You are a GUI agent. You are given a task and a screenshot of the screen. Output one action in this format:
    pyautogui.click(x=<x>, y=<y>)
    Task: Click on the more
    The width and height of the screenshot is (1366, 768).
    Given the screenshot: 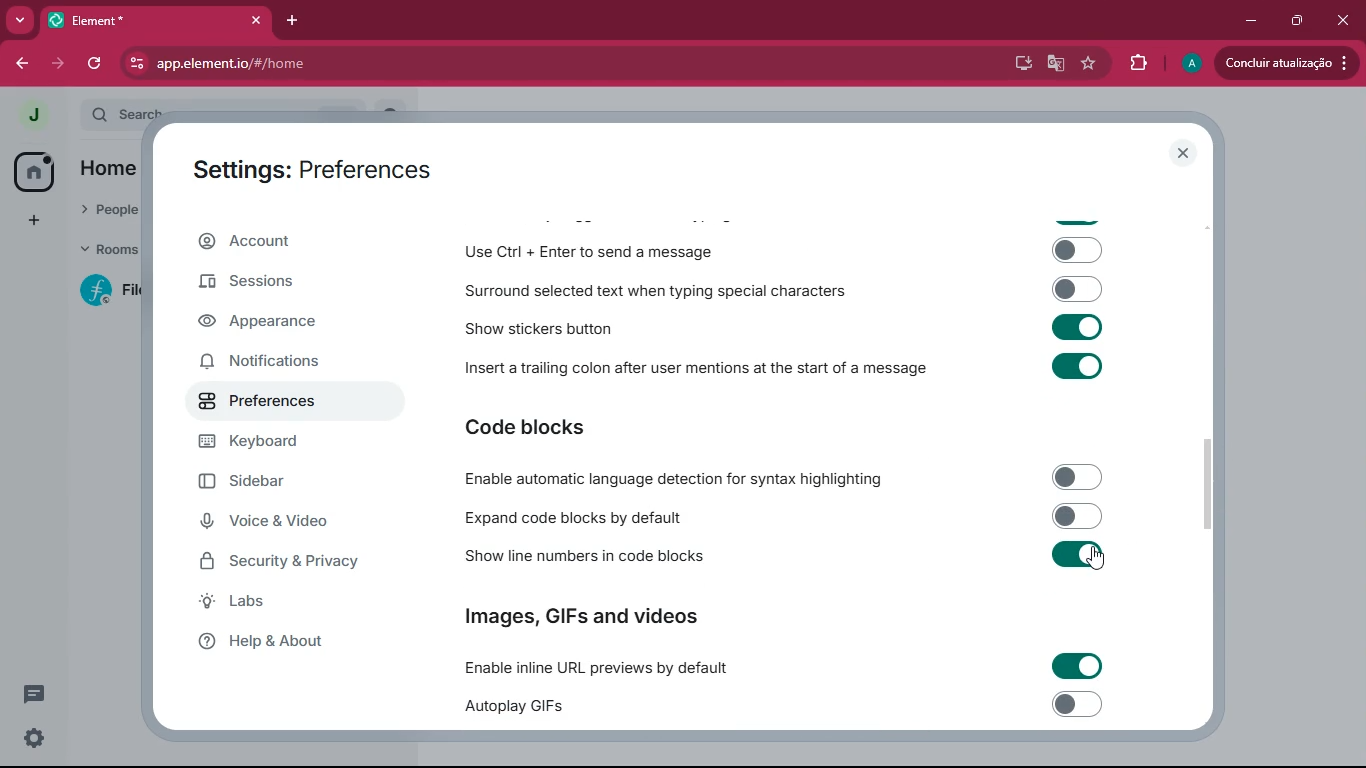 What is the action you would take?
    pyautogui.click(x=19, y=20)
    